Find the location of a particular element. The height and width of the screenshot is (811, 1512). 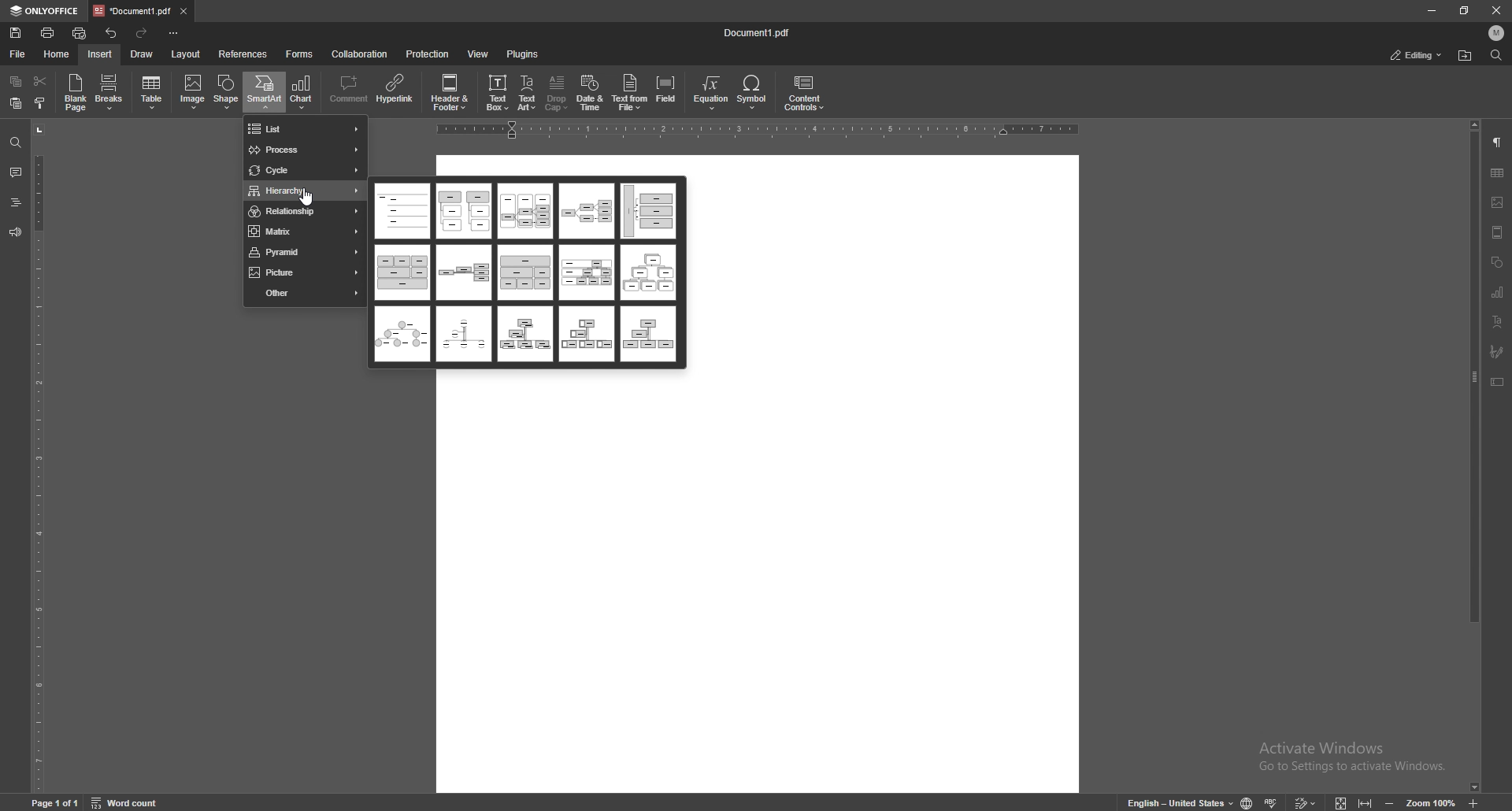

relationship is located at coordinates (304, 213).